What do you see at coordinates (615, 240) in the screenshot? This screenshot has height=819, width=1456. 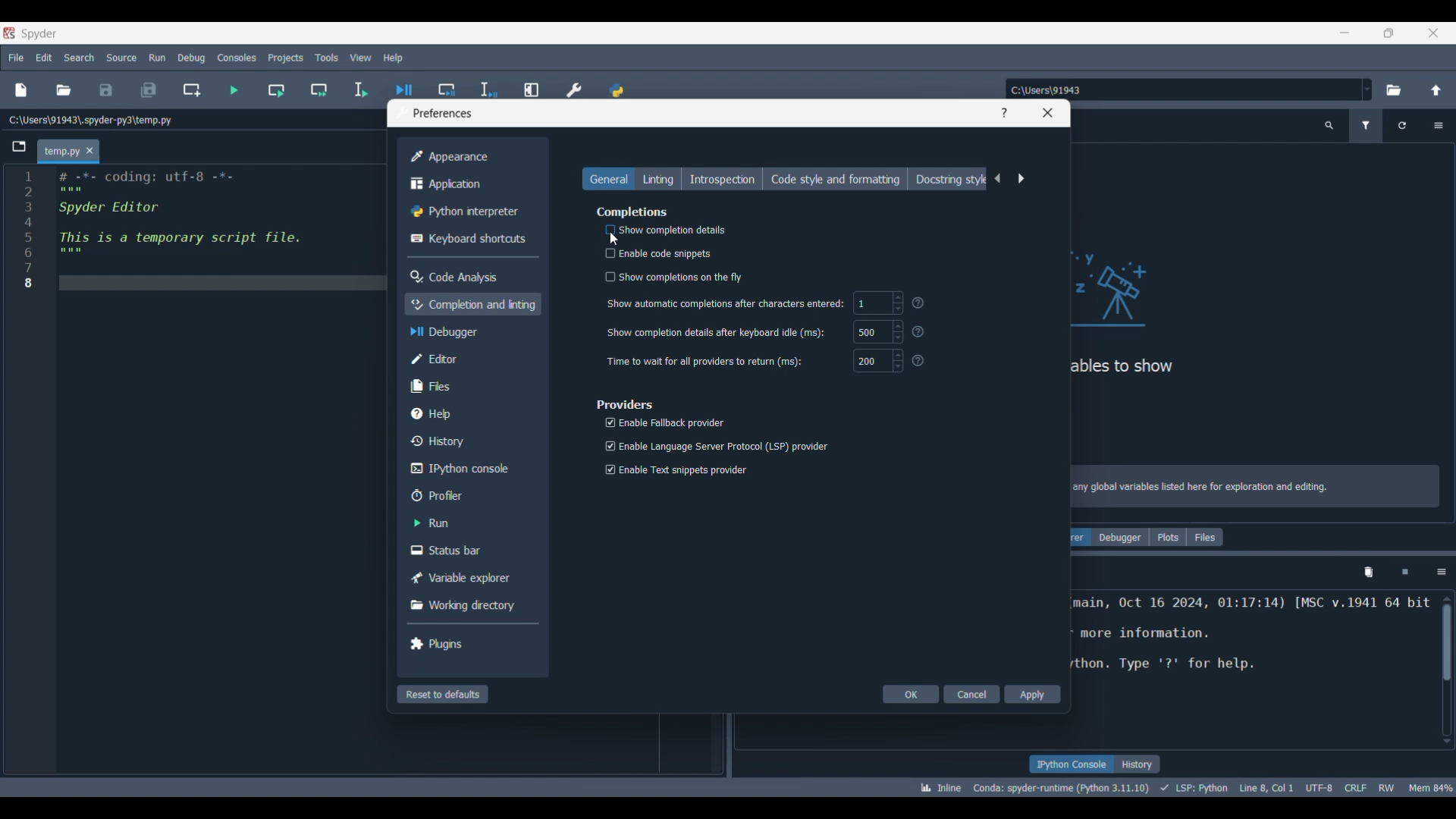 I see `Cursor` at bounding box center [615, 240].